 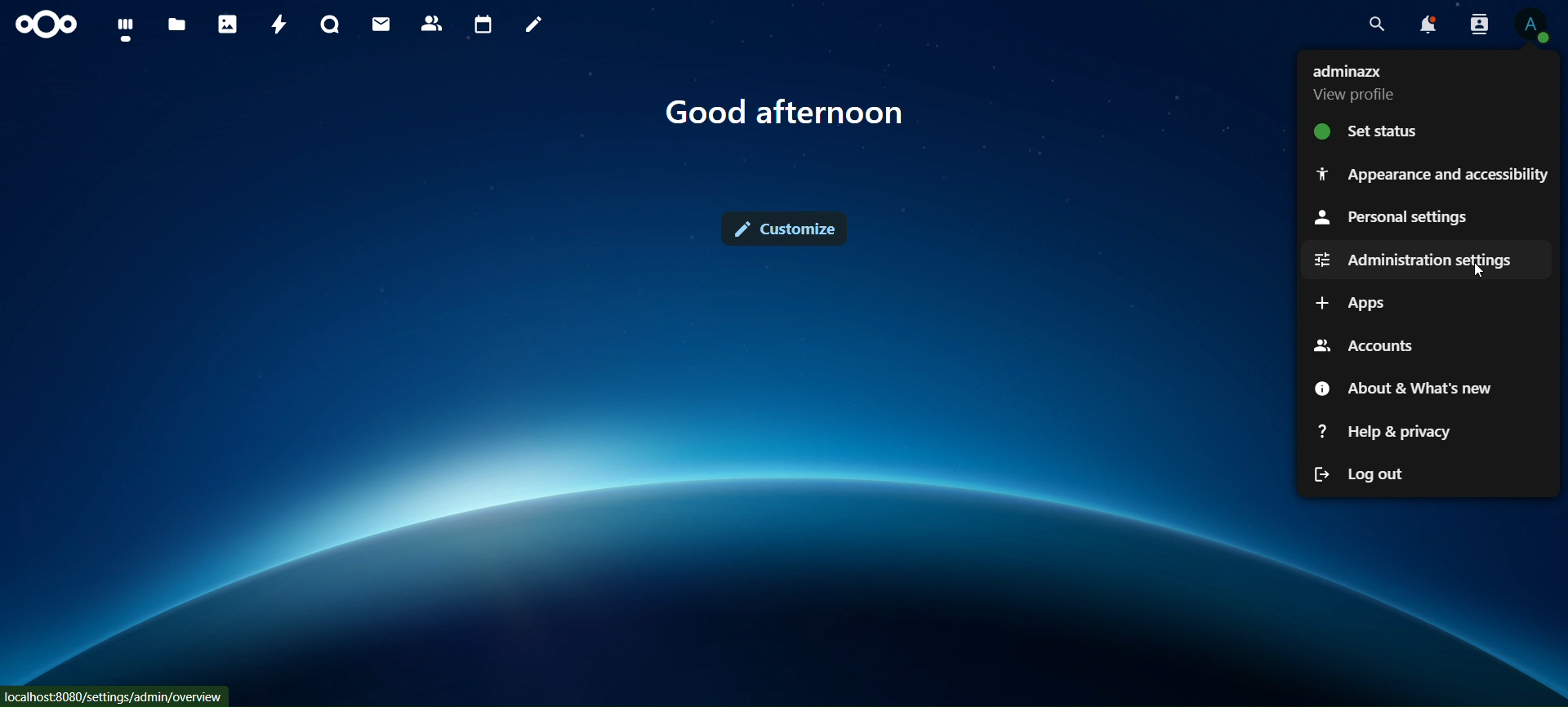 I want to click on notifications, so click(x=1426, y=24).